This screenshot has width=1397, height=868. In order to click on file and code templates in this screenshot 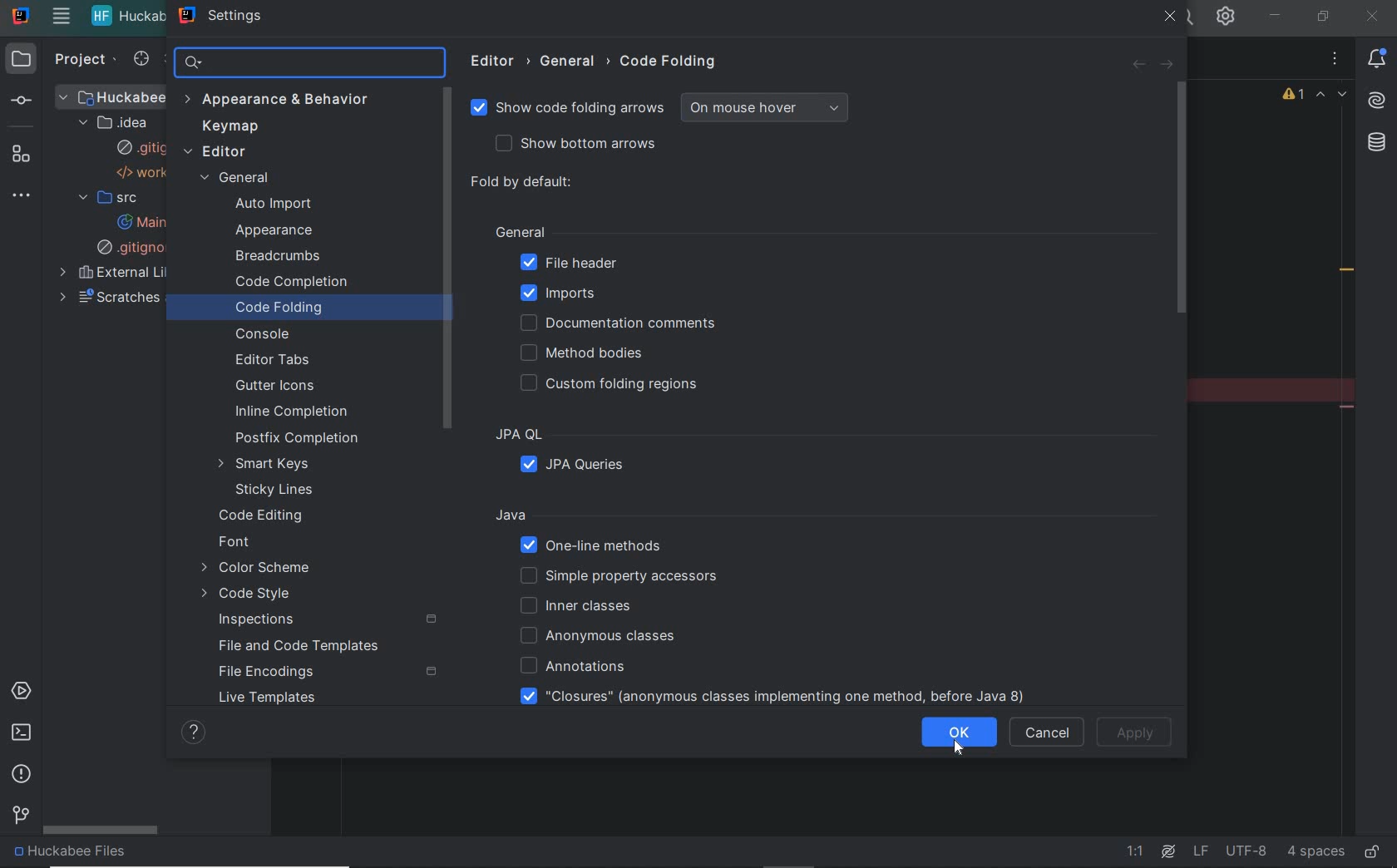, I will do `click(299, 645)`.